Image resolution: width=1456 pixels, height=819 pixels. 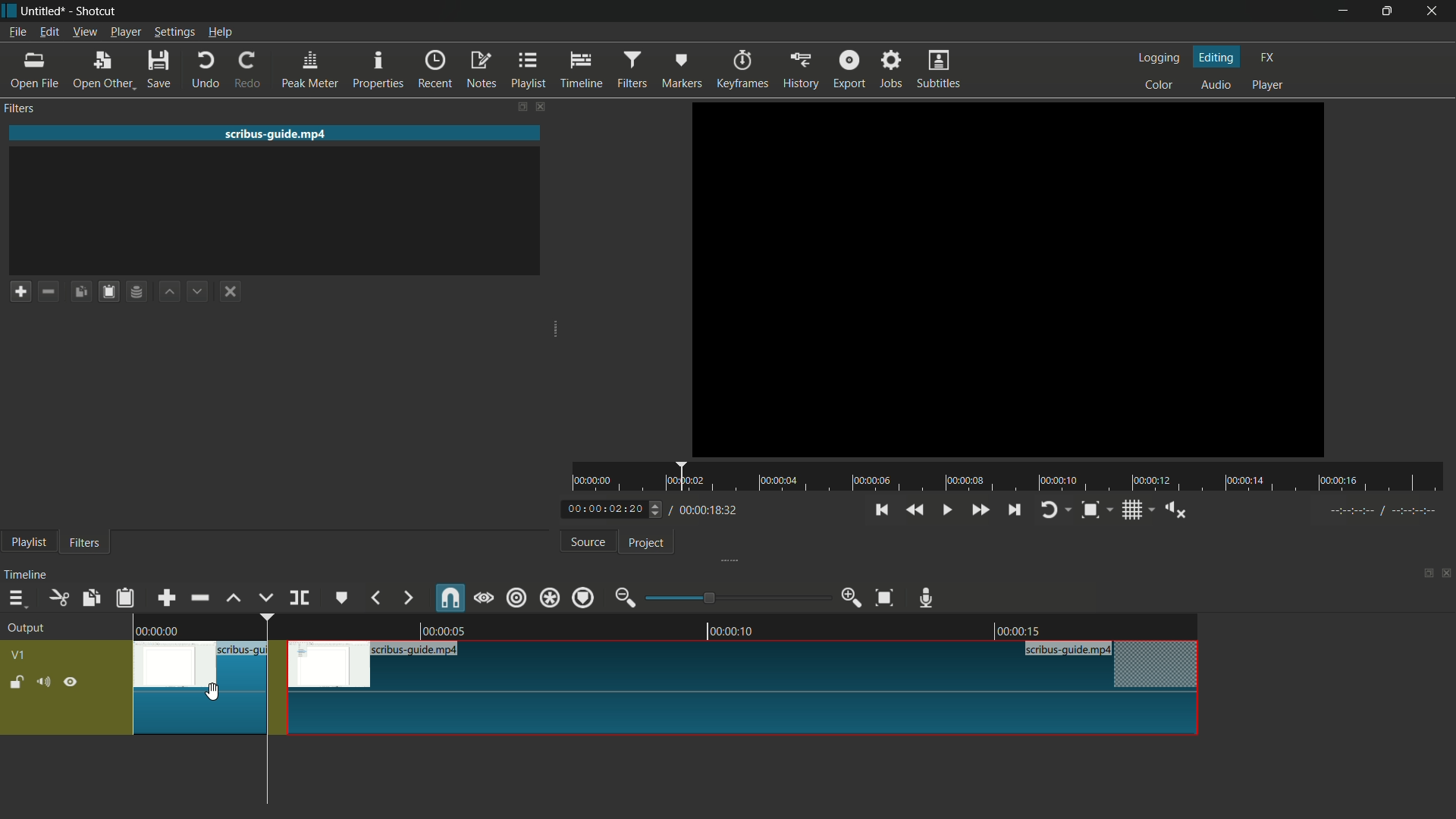 I want to click on file menu, so click(x=17, y=32).